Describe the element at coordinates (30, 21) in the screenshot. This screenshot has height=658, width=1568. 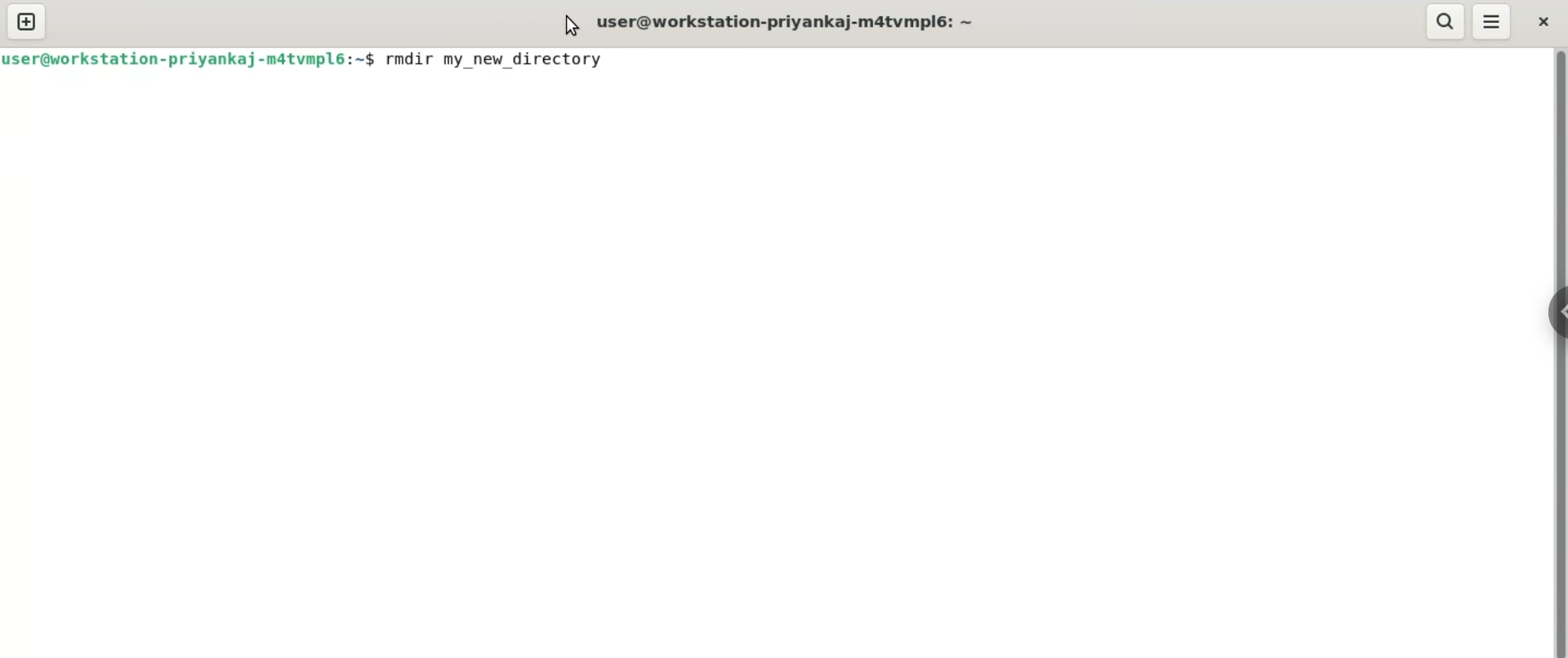
I see `new tab` at that location.